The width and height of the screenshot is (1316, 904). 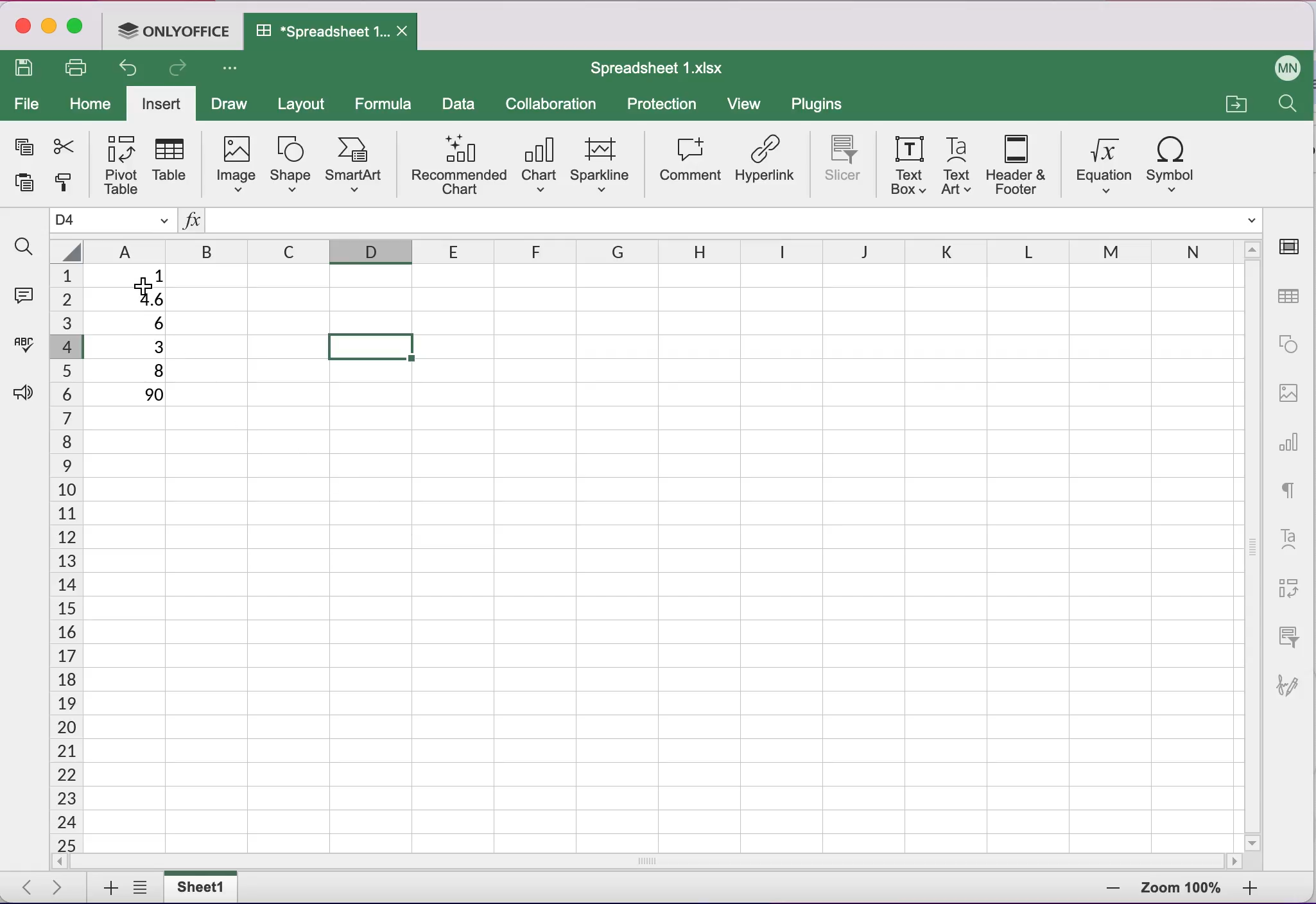 What do you see at coordinates (767, 164) in the screenshot?
I see `hyperlink` at bounding box center [767, 164].